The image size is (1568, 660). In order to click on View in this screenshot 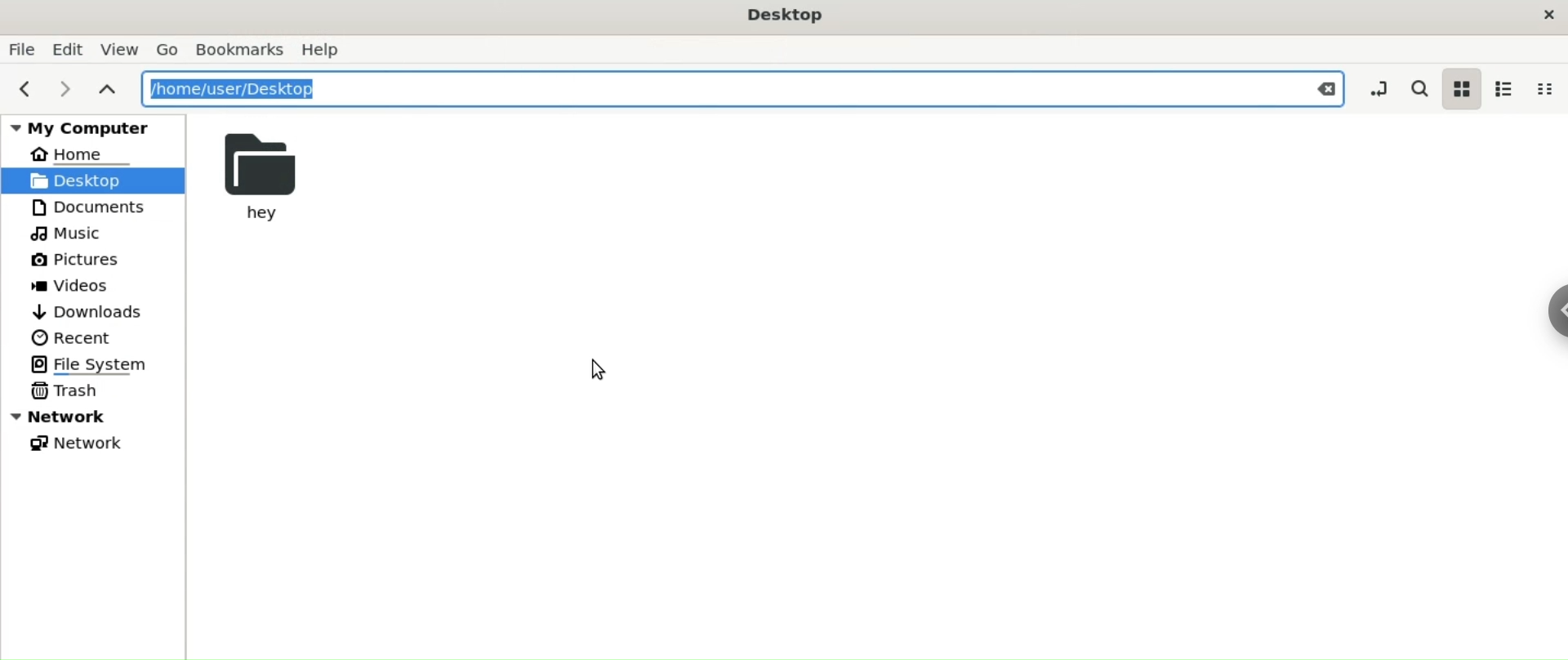, I will do `click(122, 51)`.